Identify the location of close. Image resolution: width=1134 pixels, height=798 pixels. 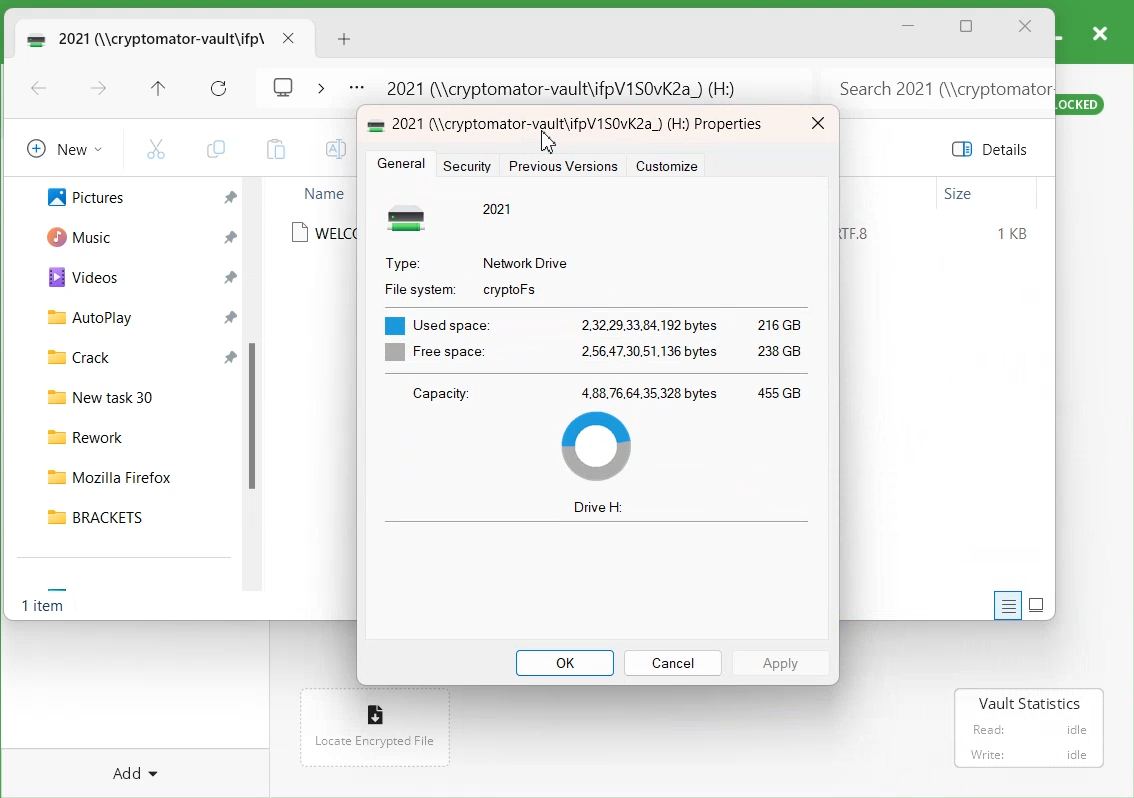
(288, 38).